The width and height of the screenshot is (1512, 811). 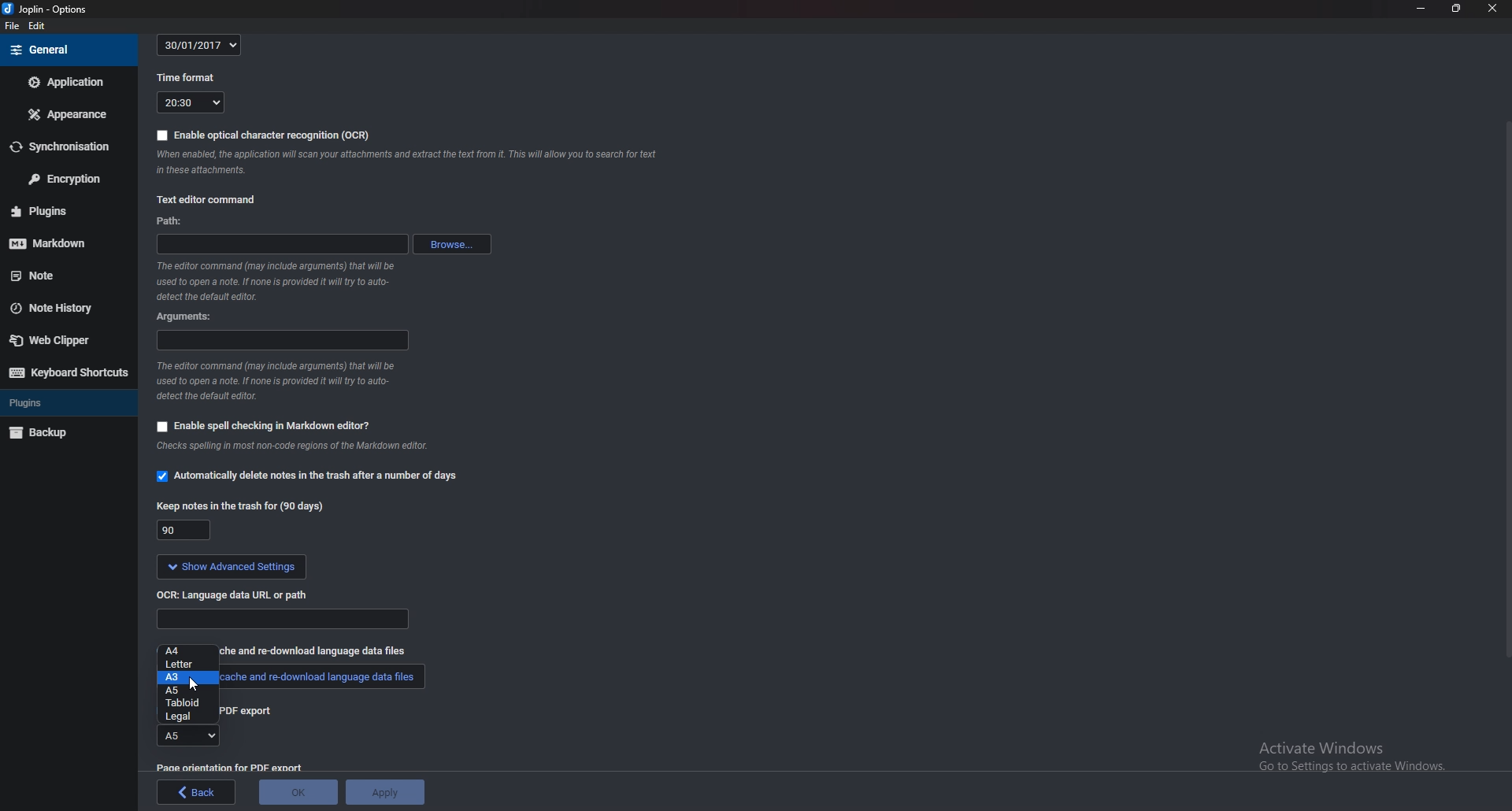 What do you see at coordinates (59, 340) in the screenshot?
I see `Web clipper` at bounding box center [59, 340].